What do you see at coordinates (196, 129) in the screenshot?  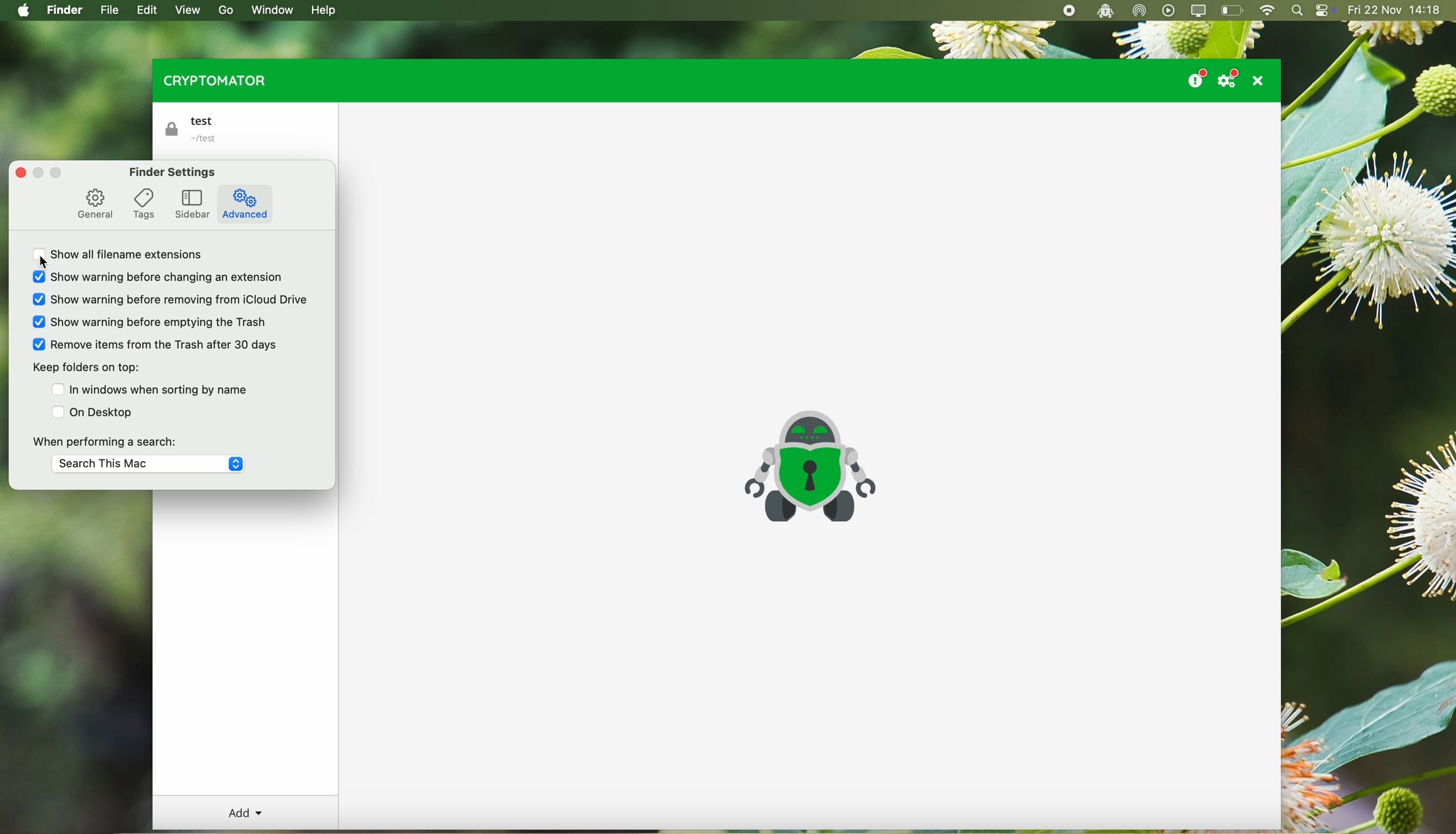 I see `test vault` at bounding box center [196, 129].